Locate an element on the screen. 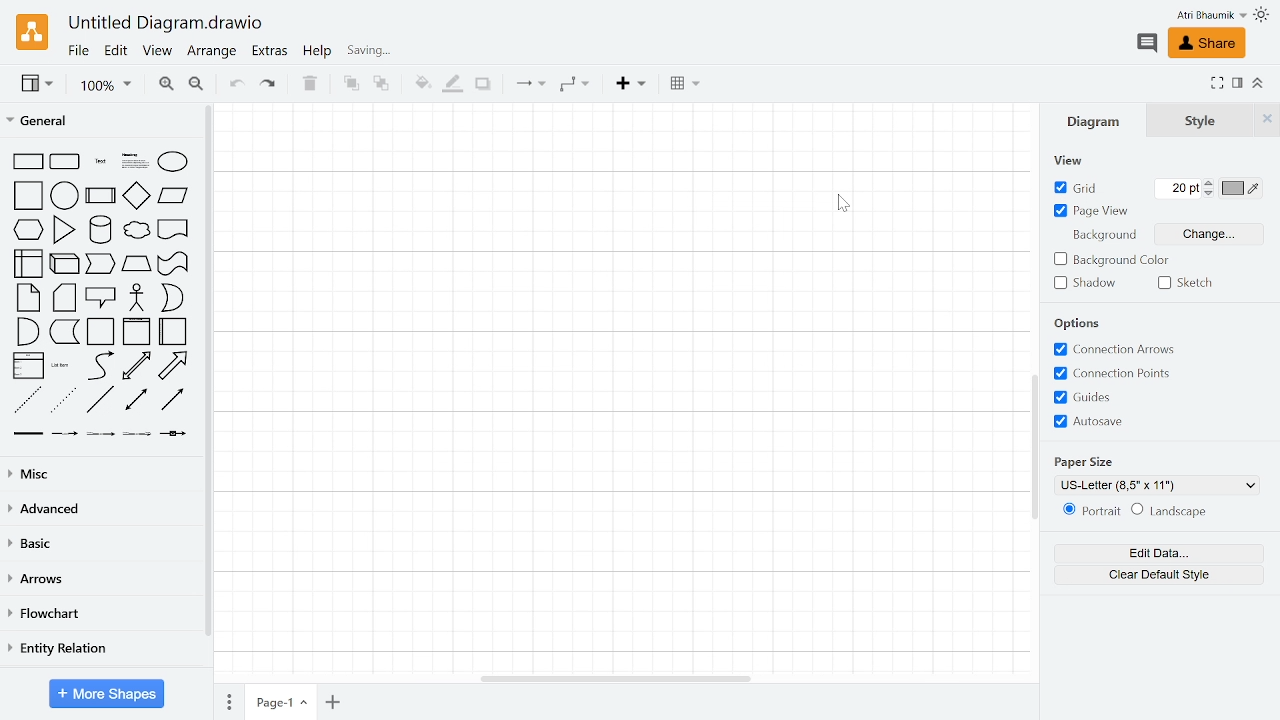 The width and height of the screenshot is (1280, 720). Add page is located at coordinates (332, 703).